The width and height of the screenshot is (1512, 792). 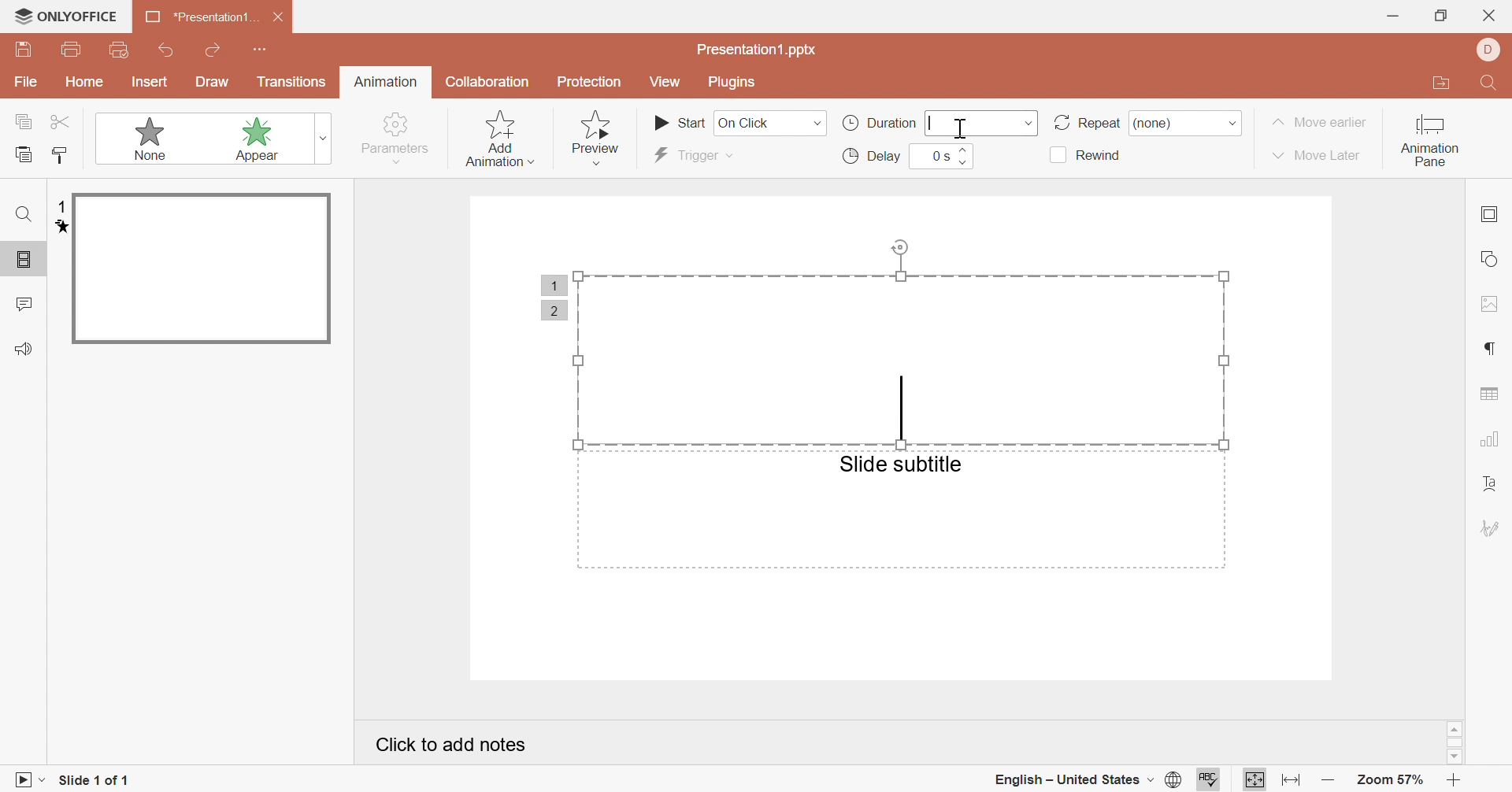 I want to click on feedback & support, so click(x=26, y=348).